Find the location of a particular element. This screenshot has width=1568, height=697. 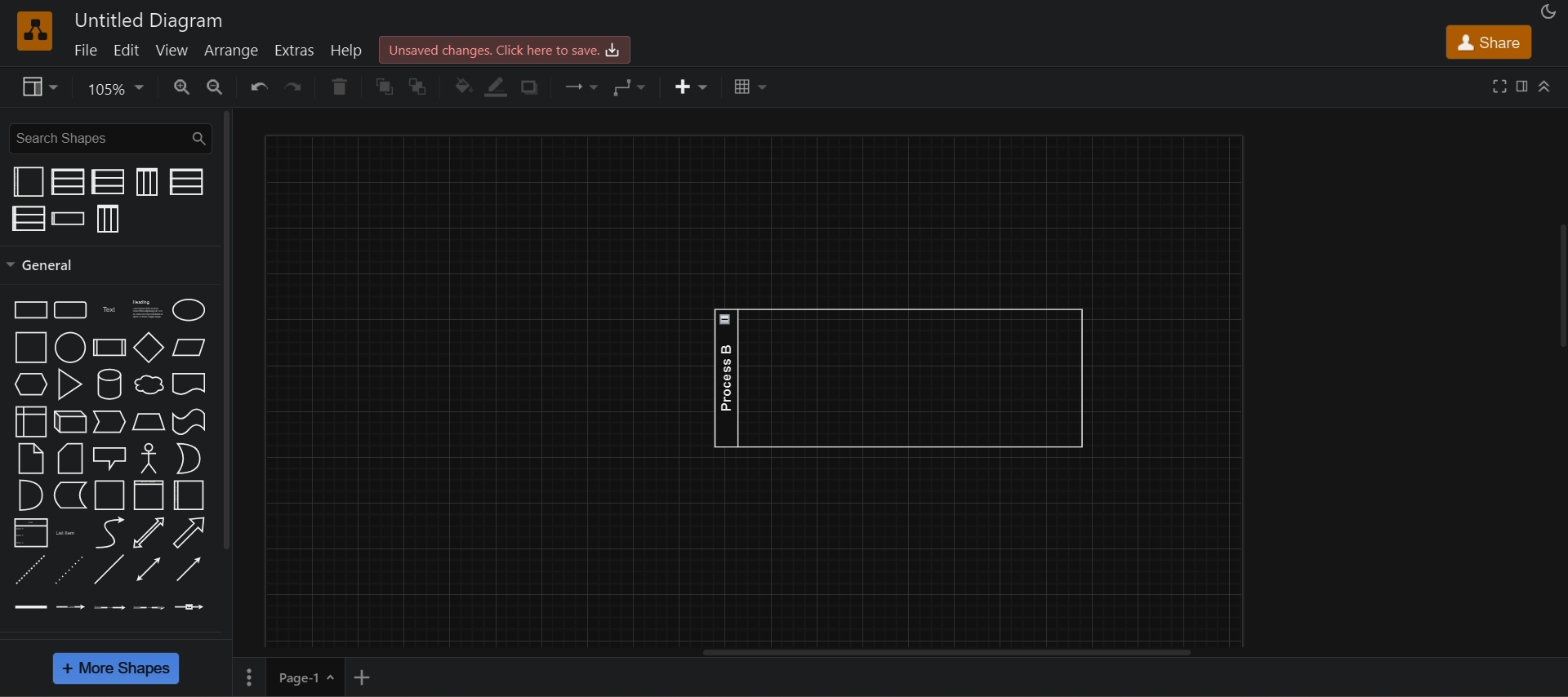

dotted line is located at coordinates (68, 570).